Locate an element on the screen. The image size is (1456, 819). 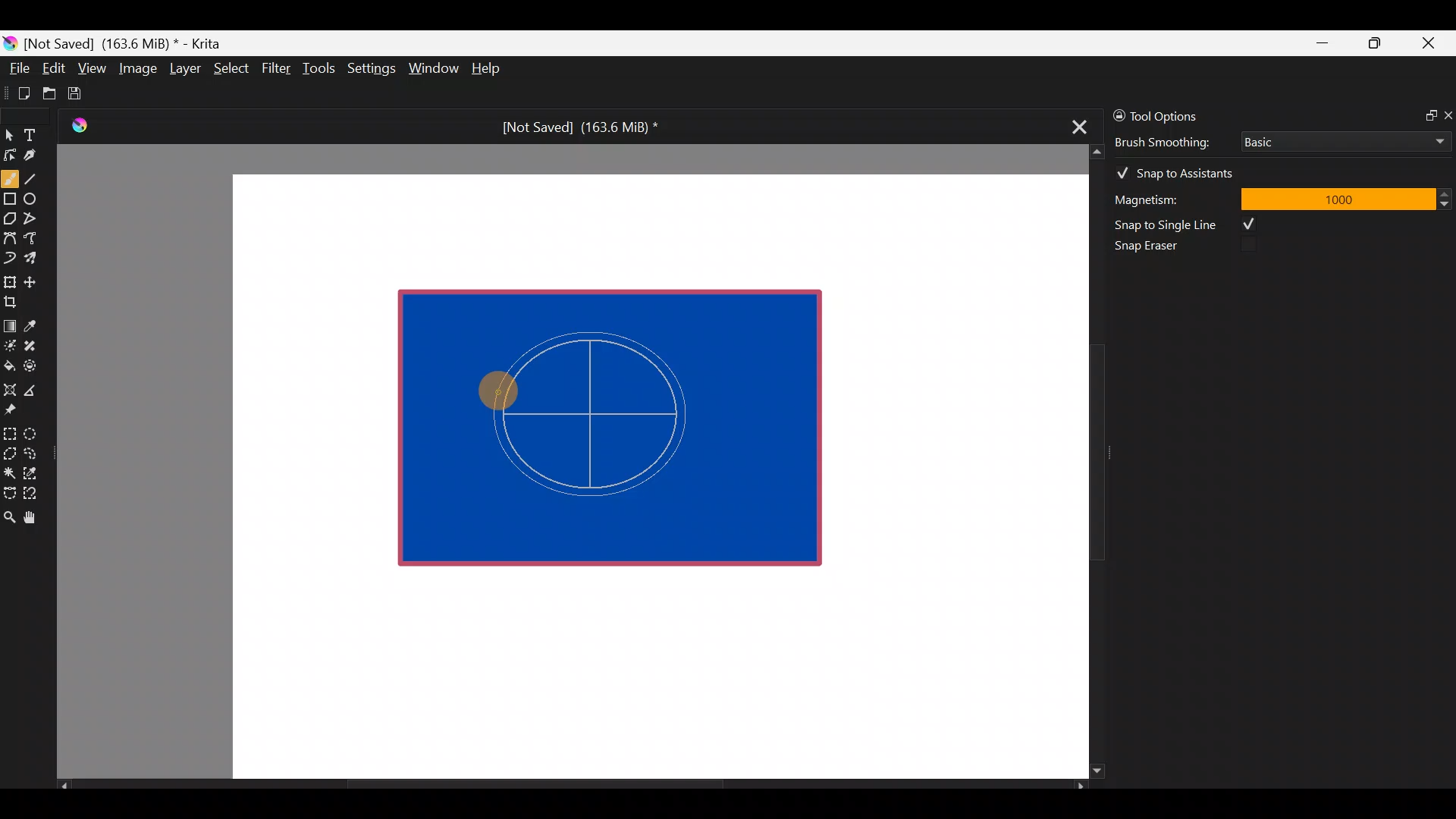
Open an existing document is located at coordinates (50, 96).